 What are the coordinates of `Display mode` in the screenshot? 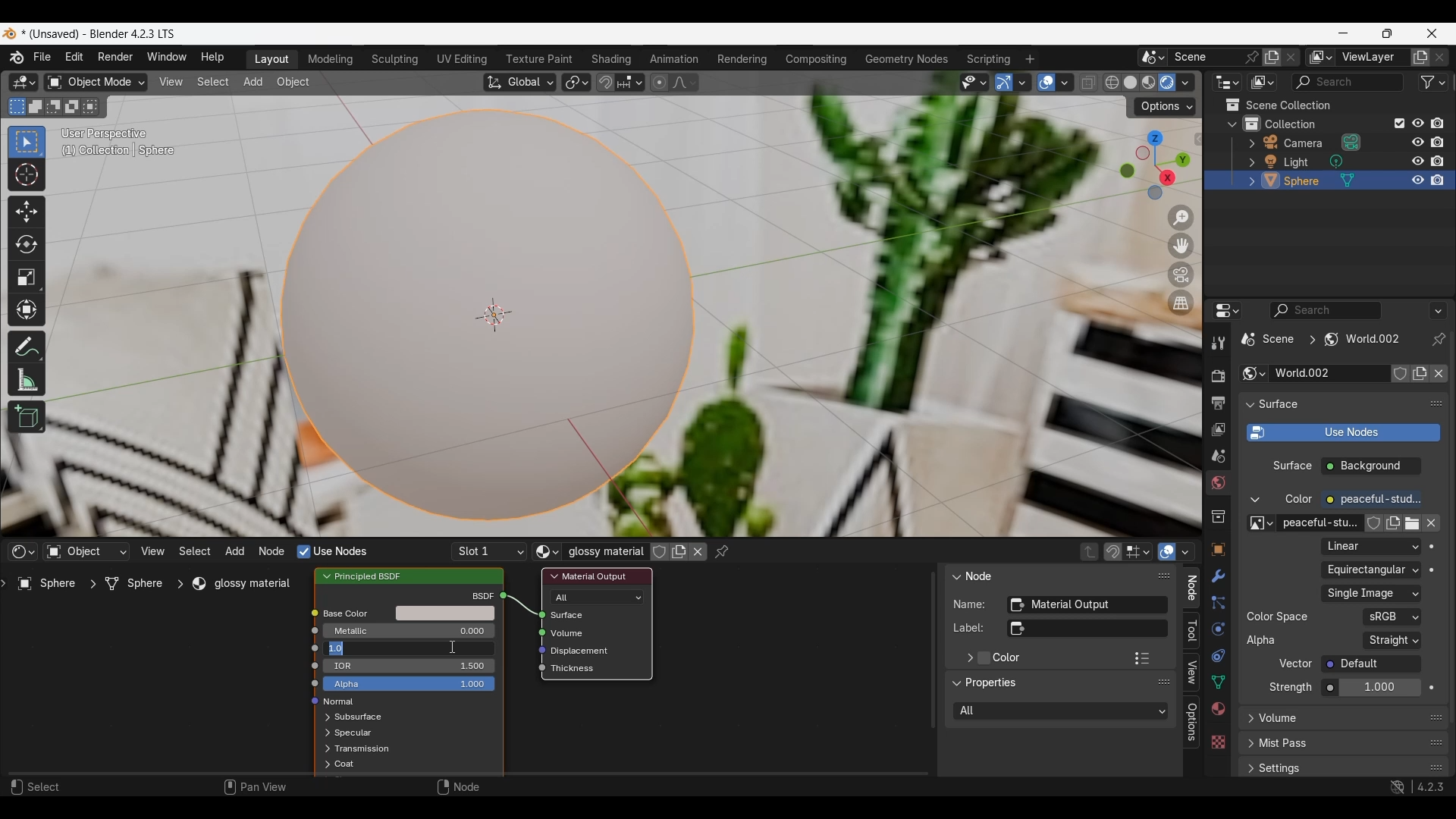 It's located at (1263, 82).